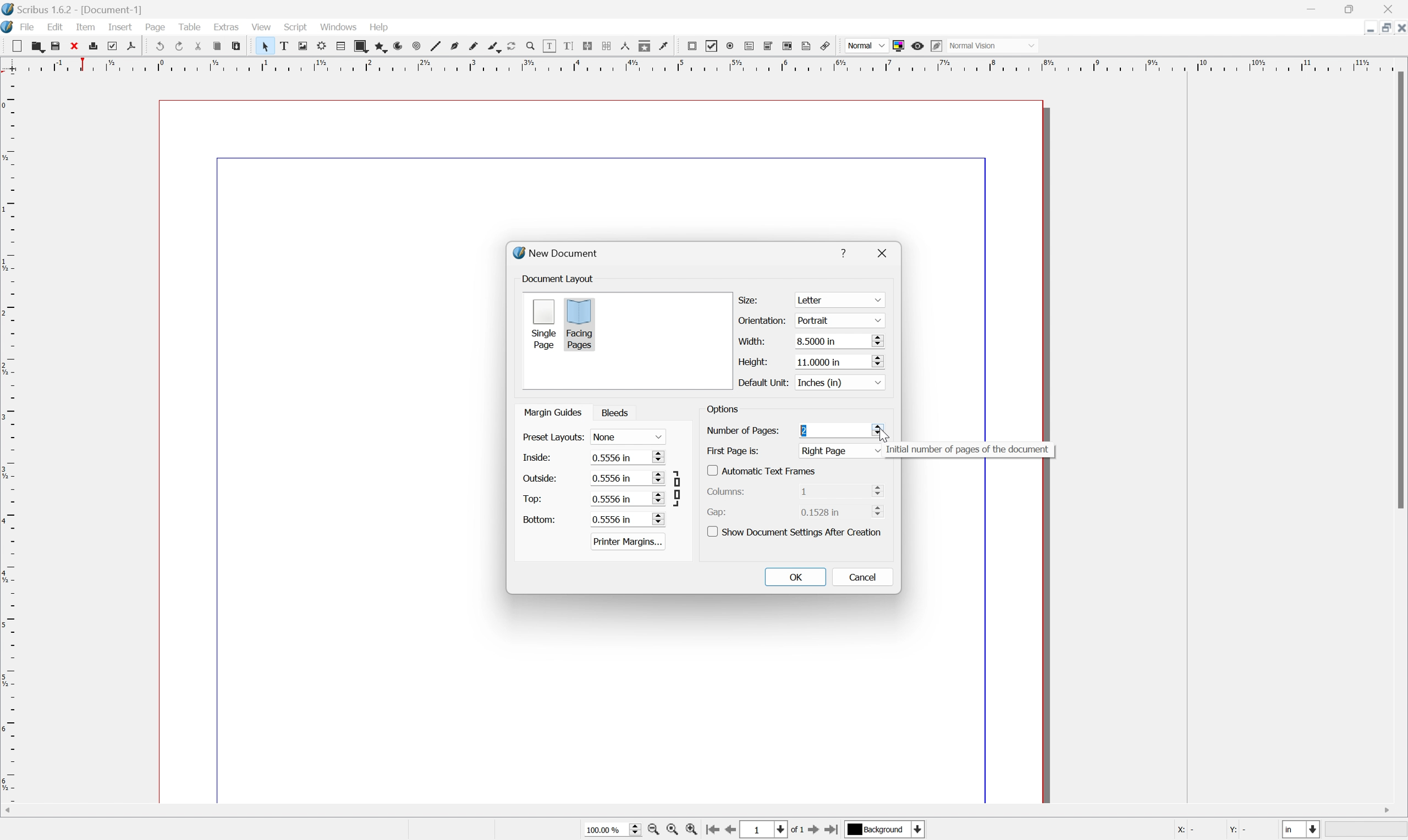  Describe the element at coordinates (841, 490) in the screenshot. I see `1` at that location.